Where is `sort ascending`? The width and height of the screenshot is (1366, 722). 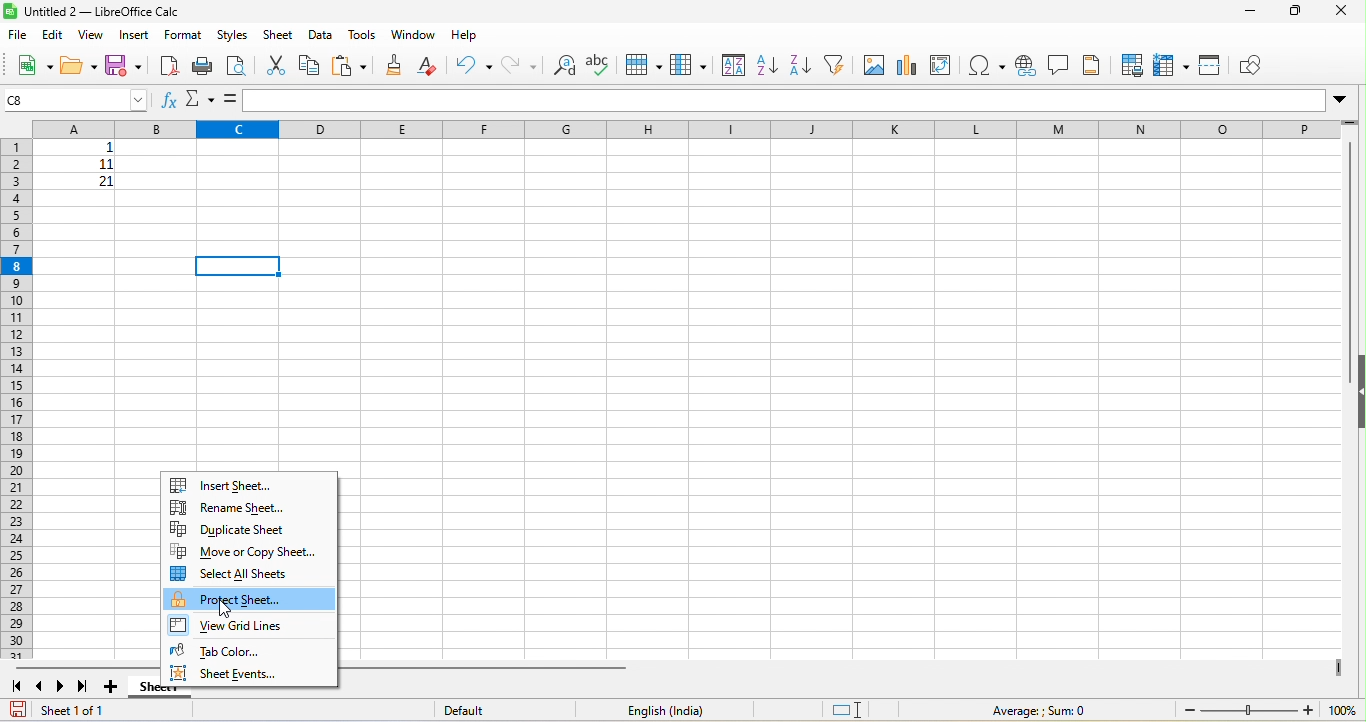 sort ascending is located at coordinates (766, 65).